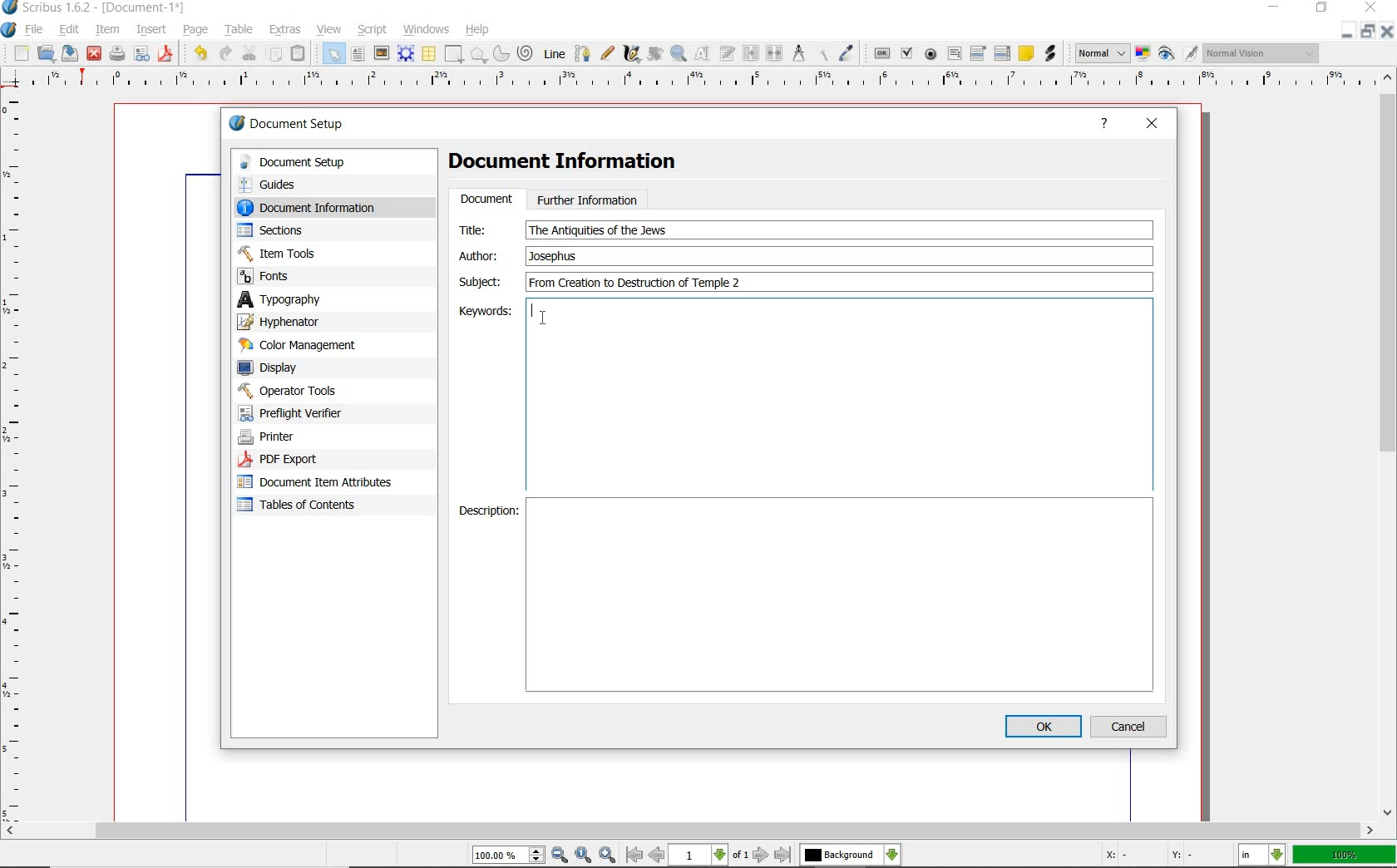  I want to click on edit contents of frame, so click(704, 55).